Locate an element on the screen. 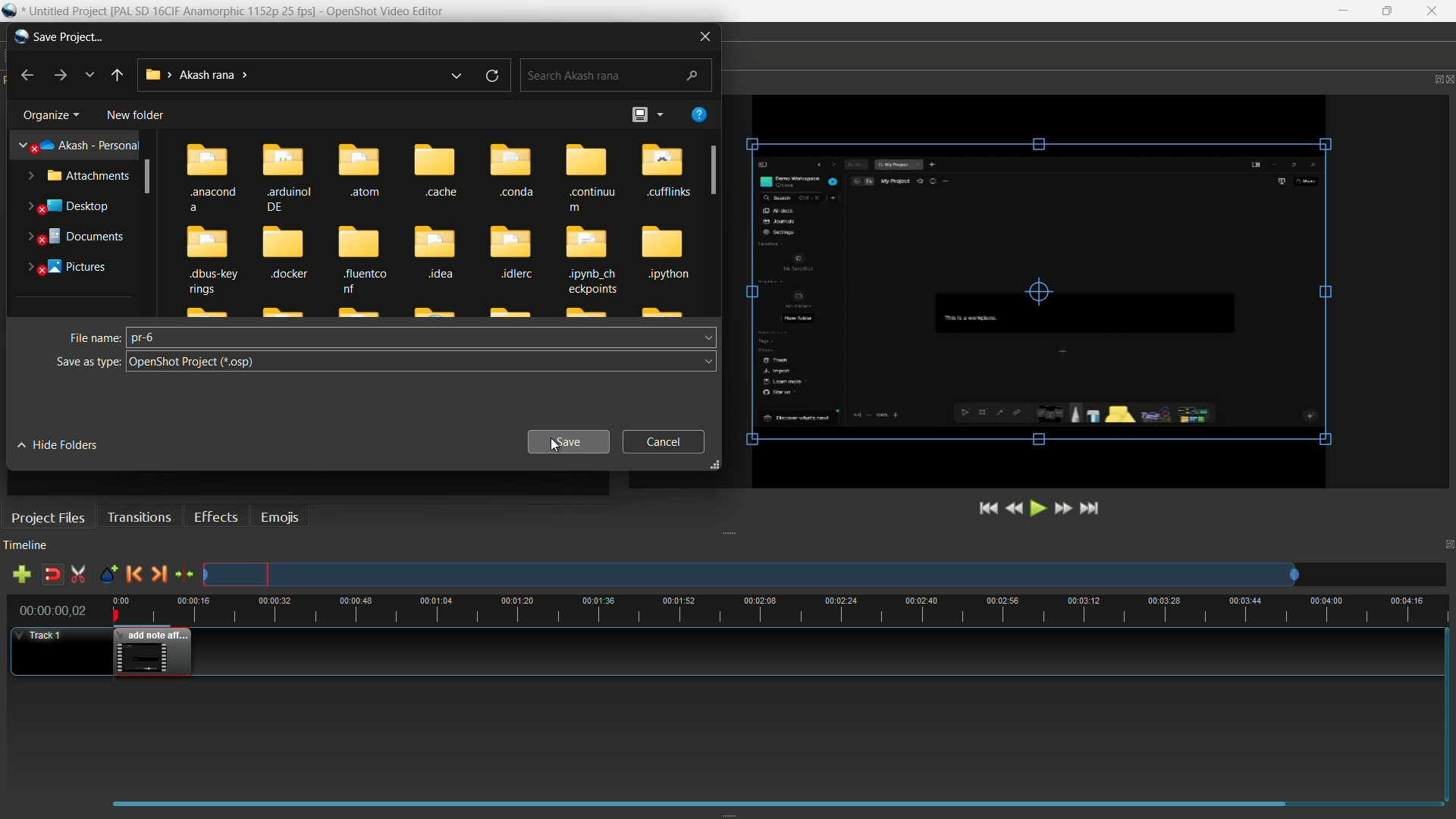 The image size is (1456, 819). continu
m is located at coordinates (593, 177).